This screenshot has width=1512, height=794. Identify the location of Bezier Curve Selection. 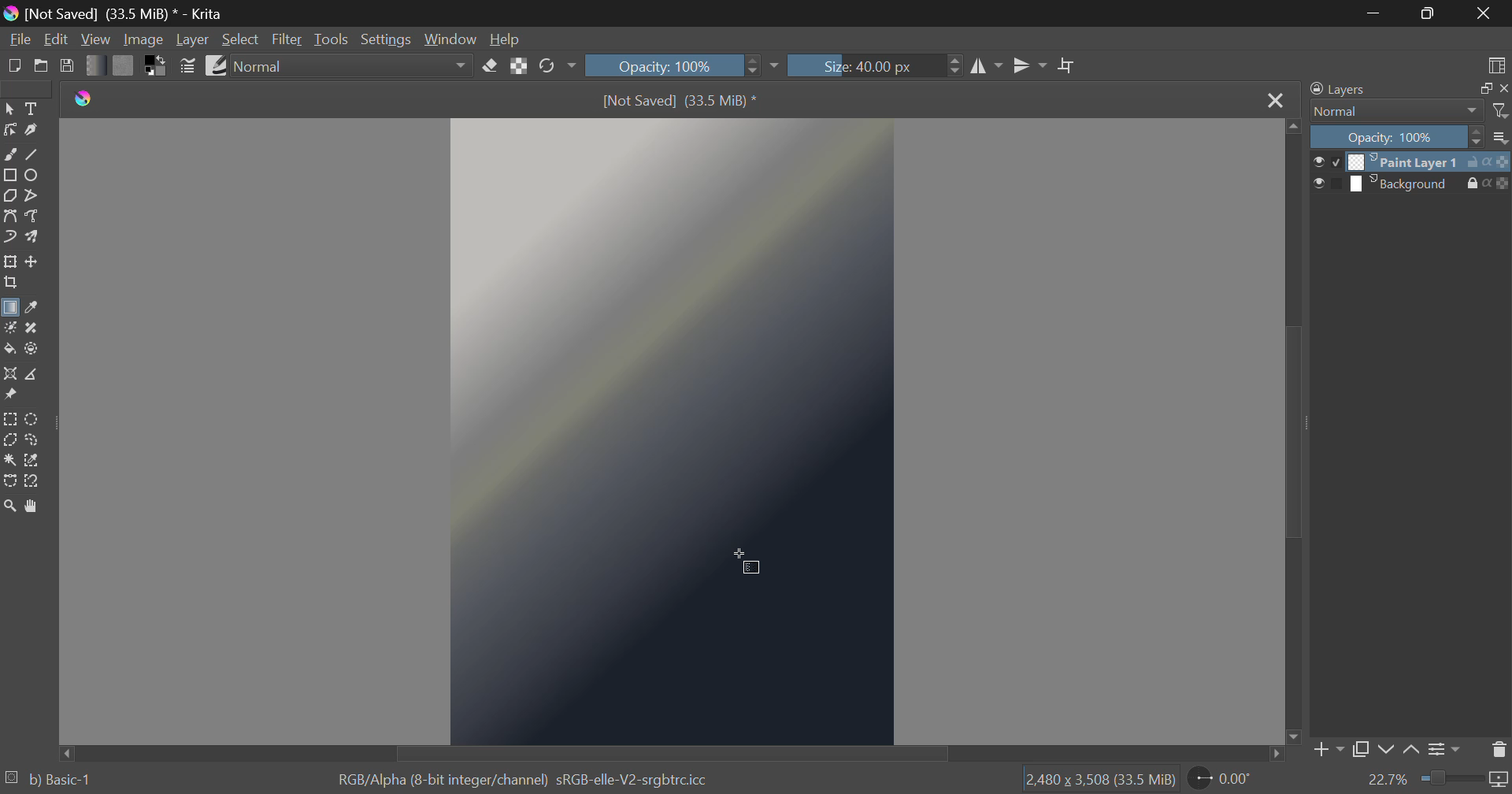
(9, 479).